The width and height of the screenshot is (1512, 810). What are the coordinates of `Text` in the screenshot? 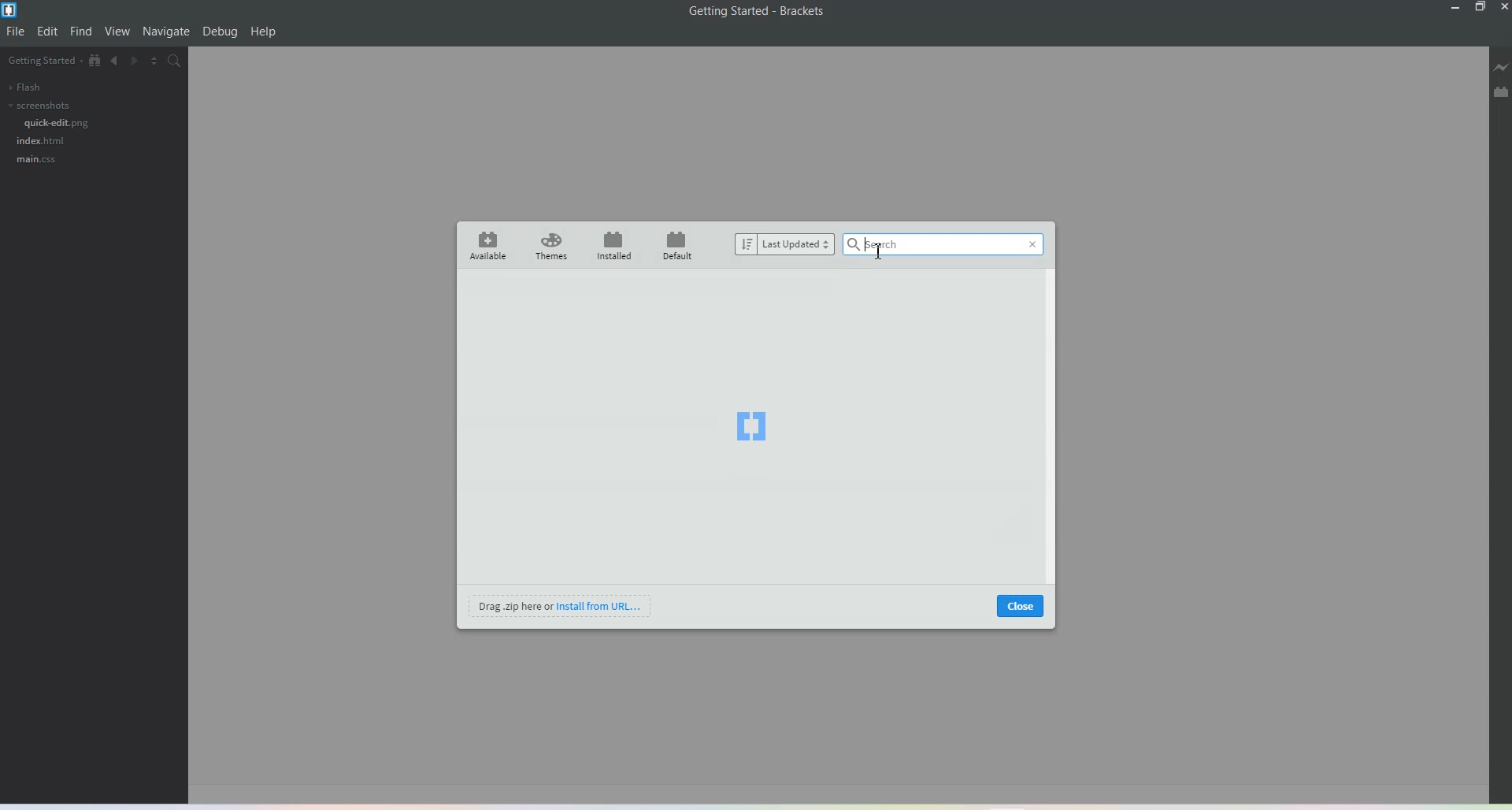 It's located at (758, 11).